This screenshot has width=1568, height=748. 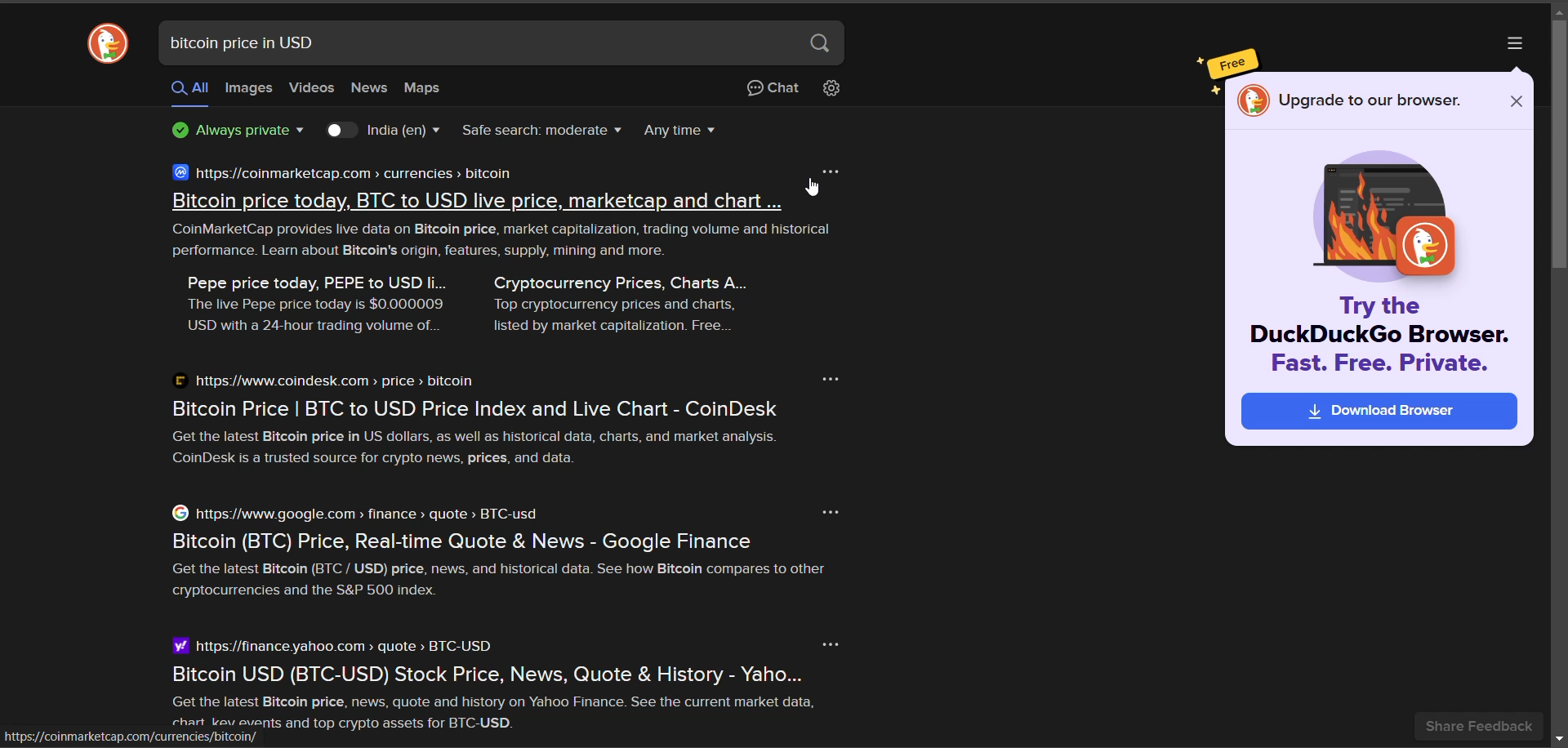 What do you see at coordinates (238, 133) in the screenshot?
I see `privacy information badge` at bounding box center [238, 133].